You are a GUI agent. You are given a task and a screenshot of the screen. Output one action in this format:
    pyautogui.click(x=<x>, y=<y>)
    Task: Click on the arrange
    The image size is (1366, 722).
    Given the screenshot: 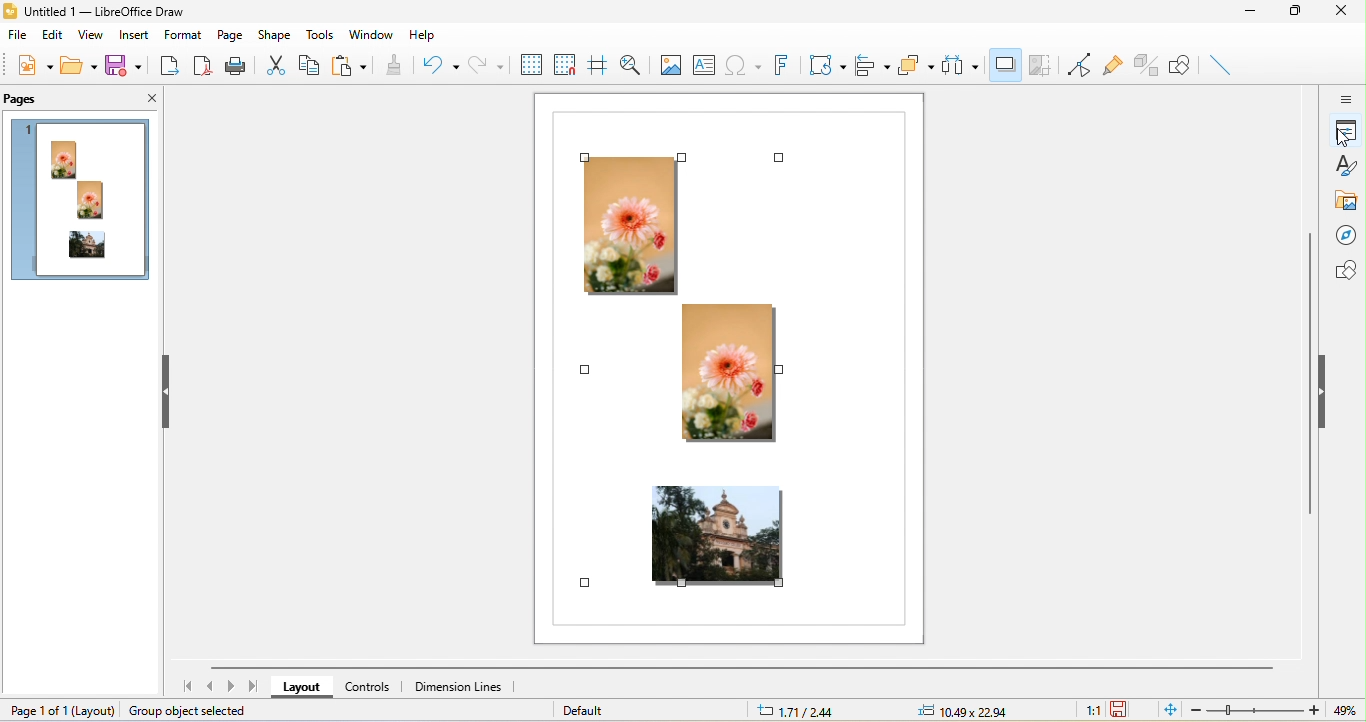 What is the action you would take?
    pyautogui.click(x=917, y=69)
    